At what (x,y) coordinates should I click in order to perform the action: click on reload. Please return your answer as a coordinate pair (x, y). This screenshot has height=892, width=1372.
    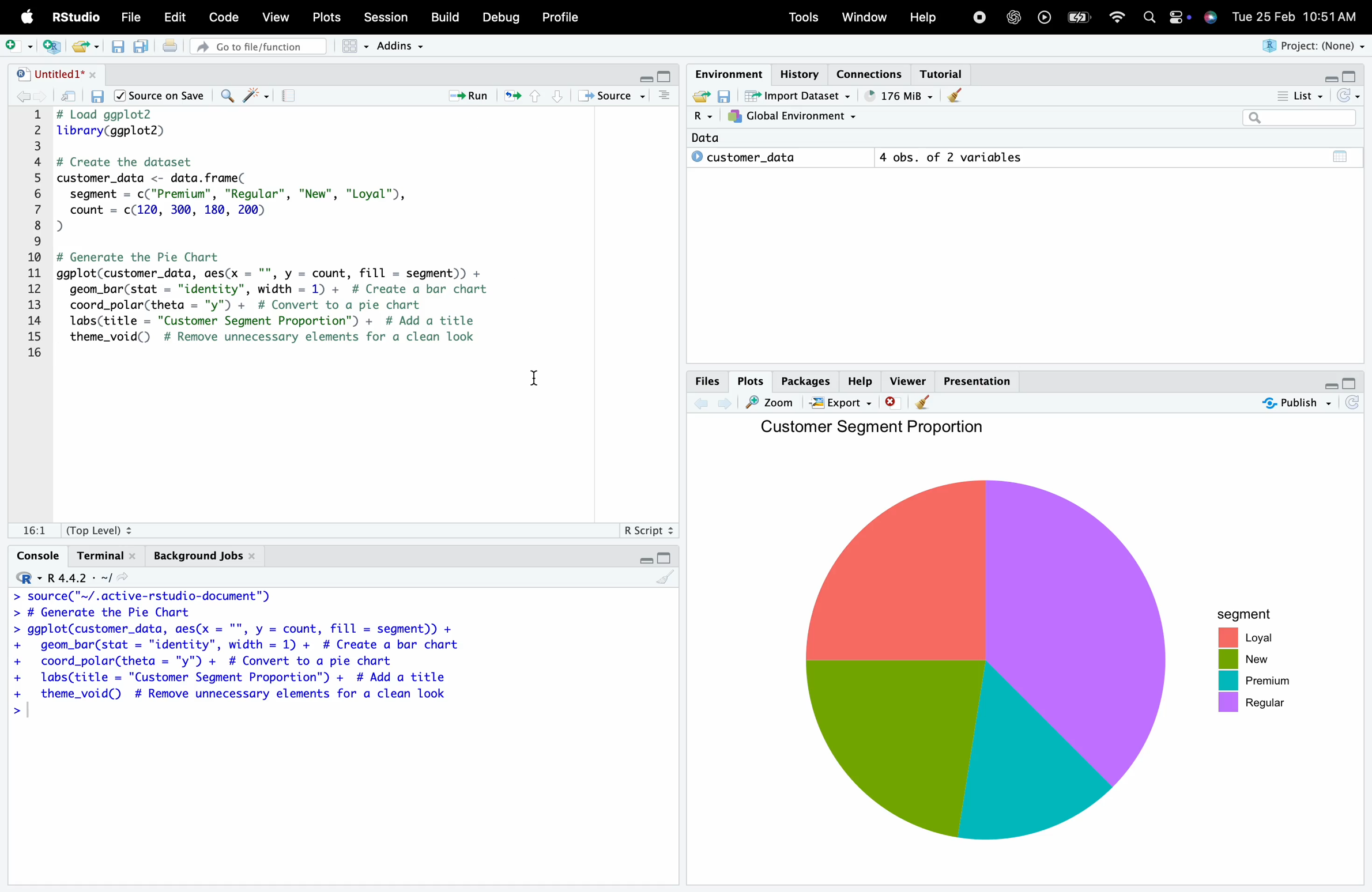
    Looking at the image, I should click on (1351, 96).